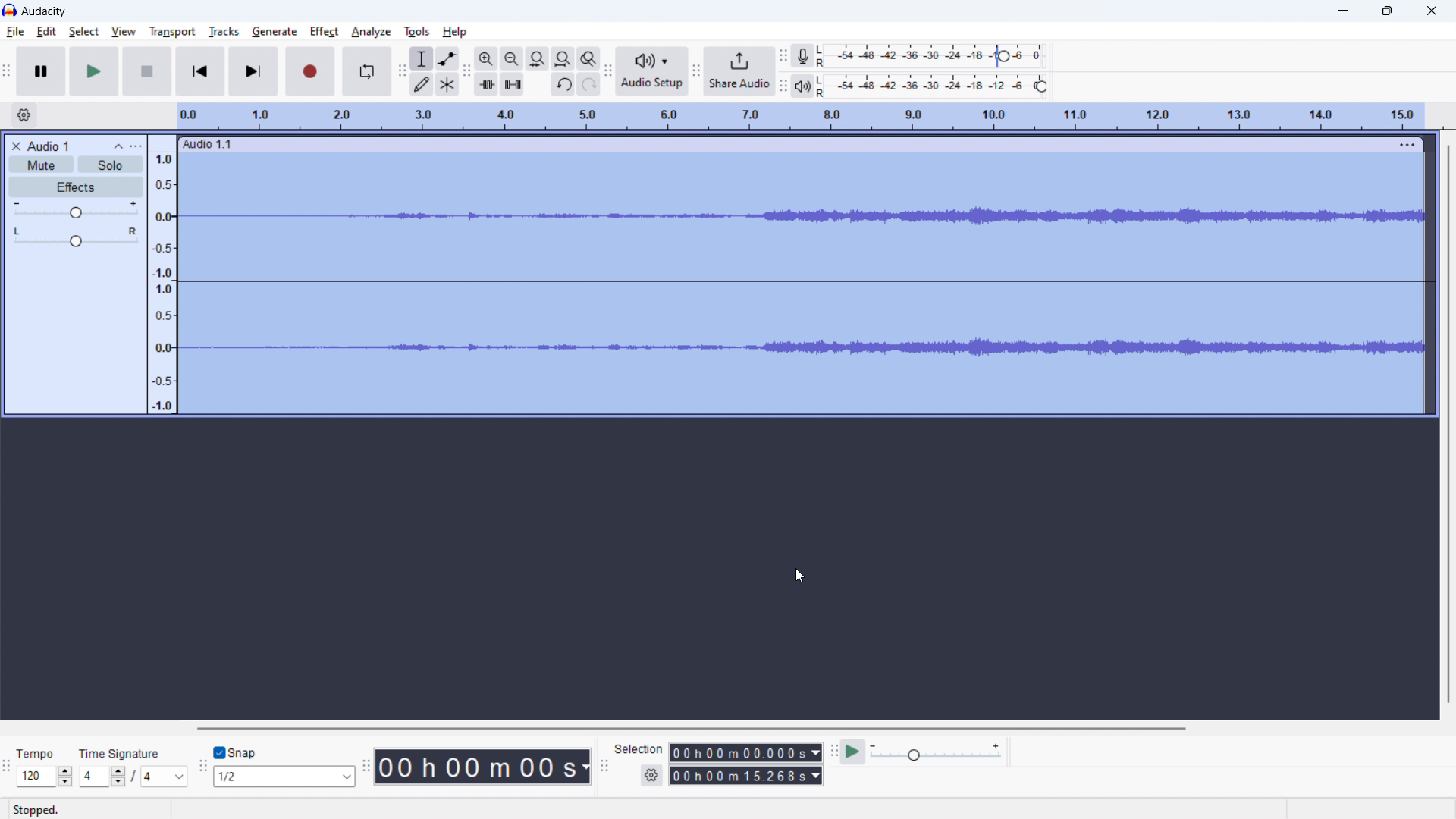  I want to click on tracks, so click(223, 31).